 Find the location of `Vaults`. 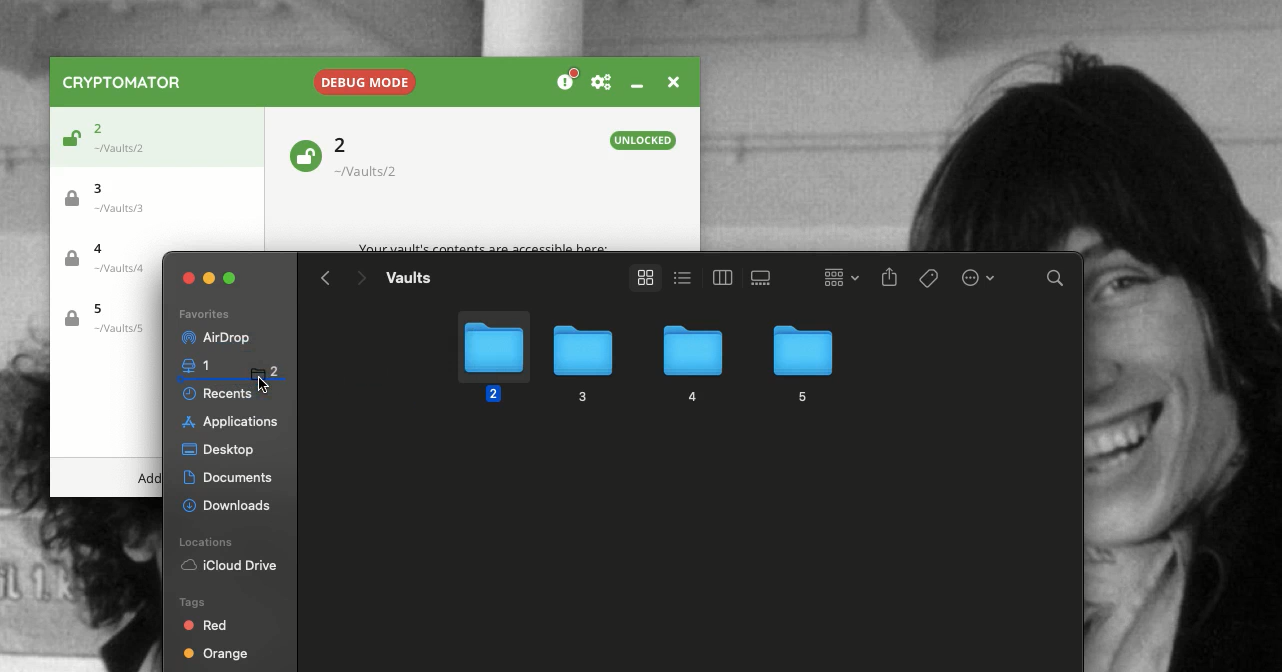

Vaults is located at coordinates (408, 277).